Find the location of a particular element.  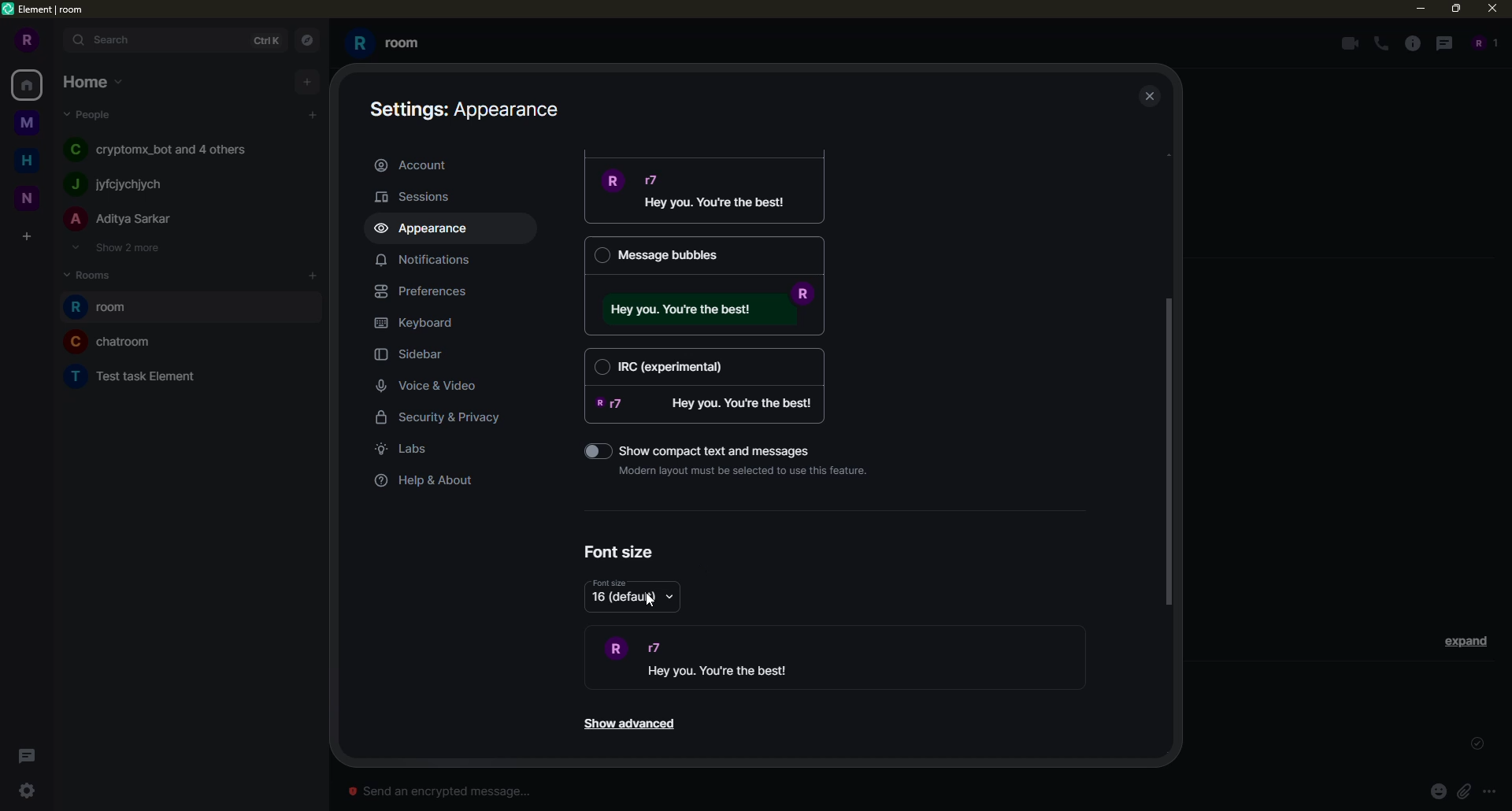

space is located at coordinates (28, 124).